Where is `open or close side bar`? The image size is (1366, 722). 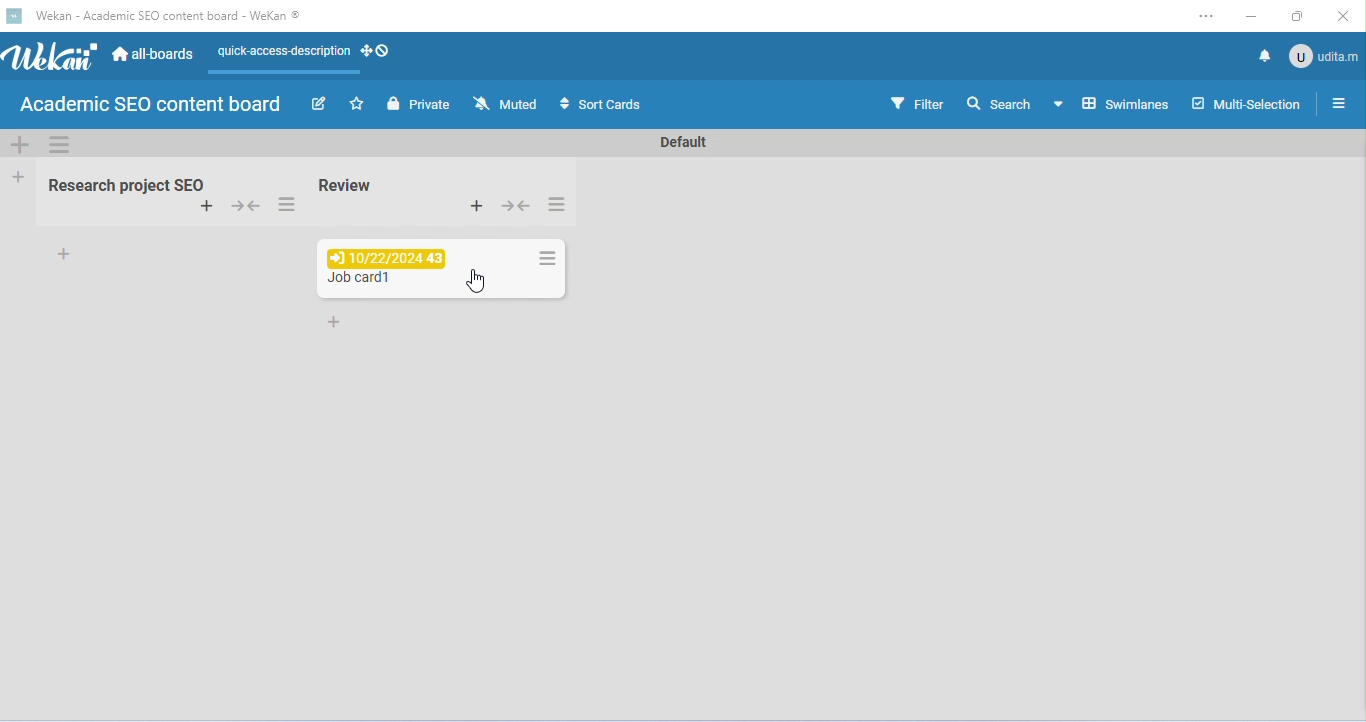 open or close side bar is located at coordinates (1338, 102).